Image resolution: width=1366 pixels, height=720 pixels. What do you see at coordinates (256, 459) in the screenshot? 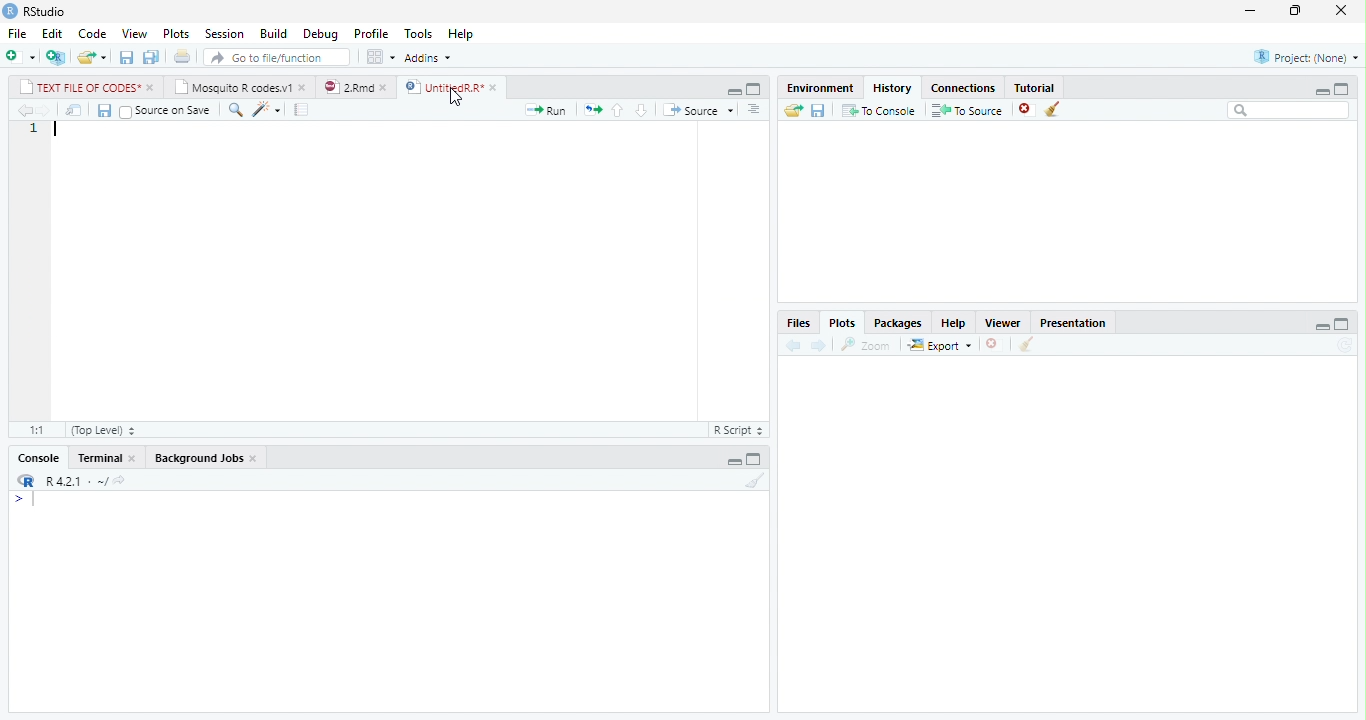
I see `close` at bounding box center [256, 459].